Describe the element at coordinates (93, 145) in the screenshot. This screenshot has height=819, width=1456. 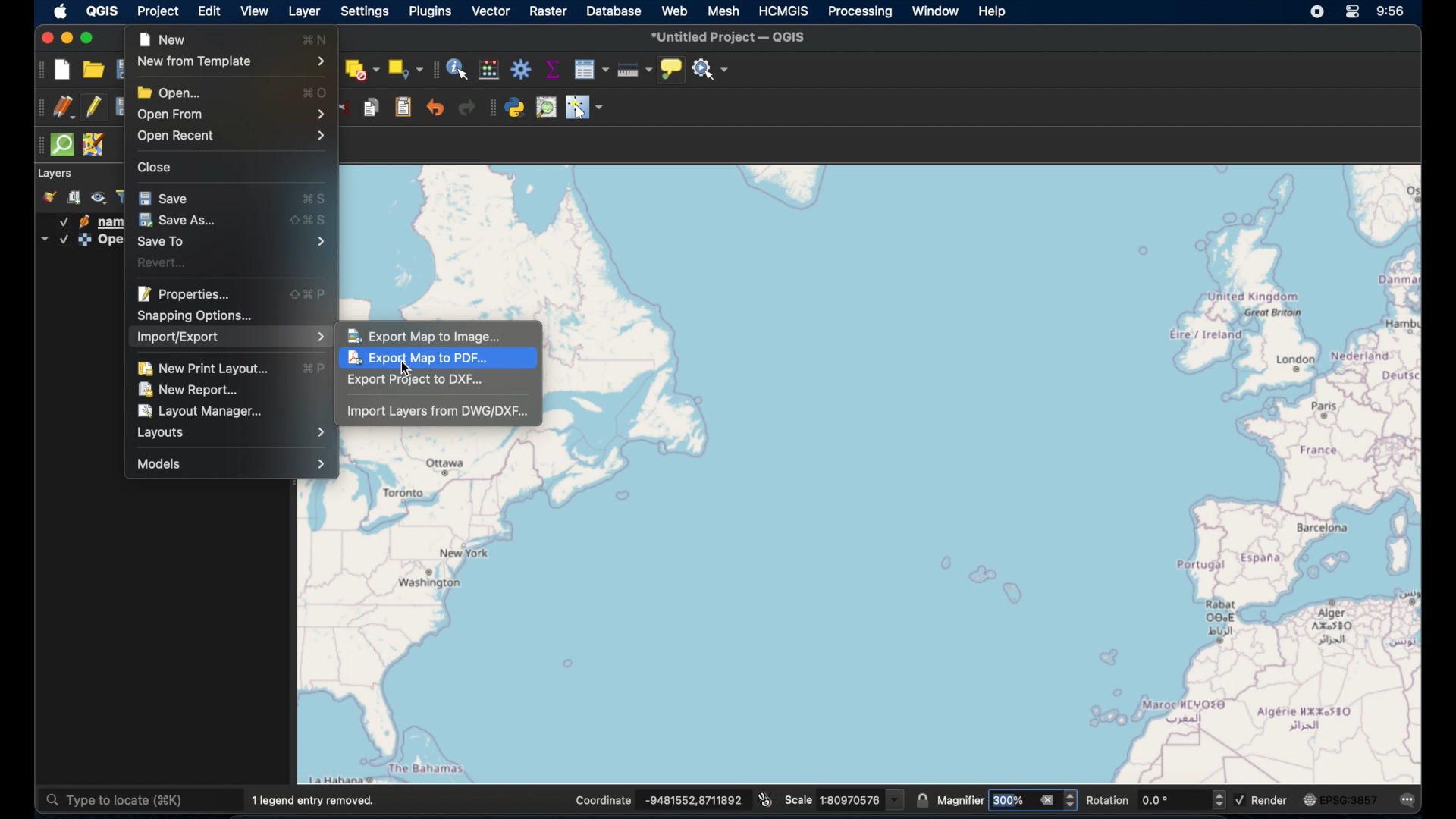
I see `jsom remote` at that location.